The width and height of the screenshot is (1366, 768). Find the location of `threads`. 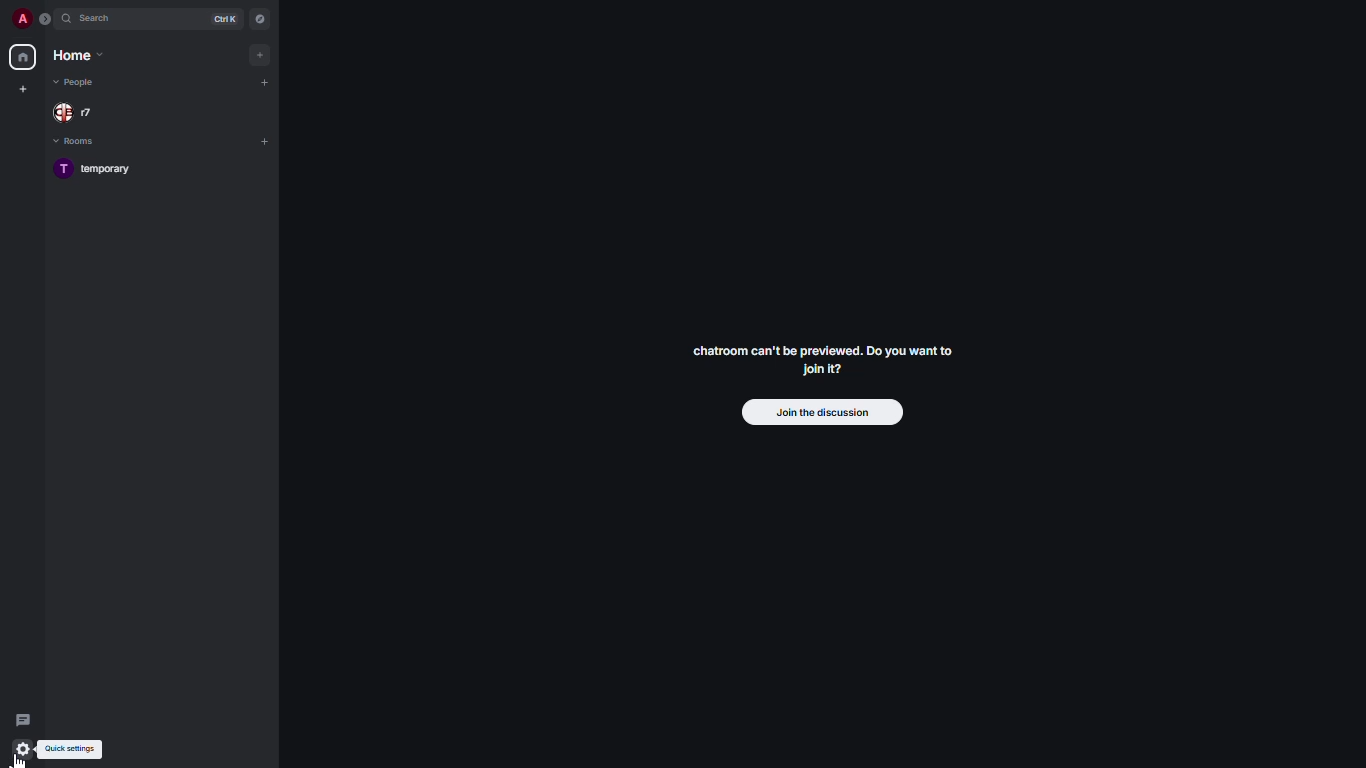

threads is located at coordinates (25, 716).